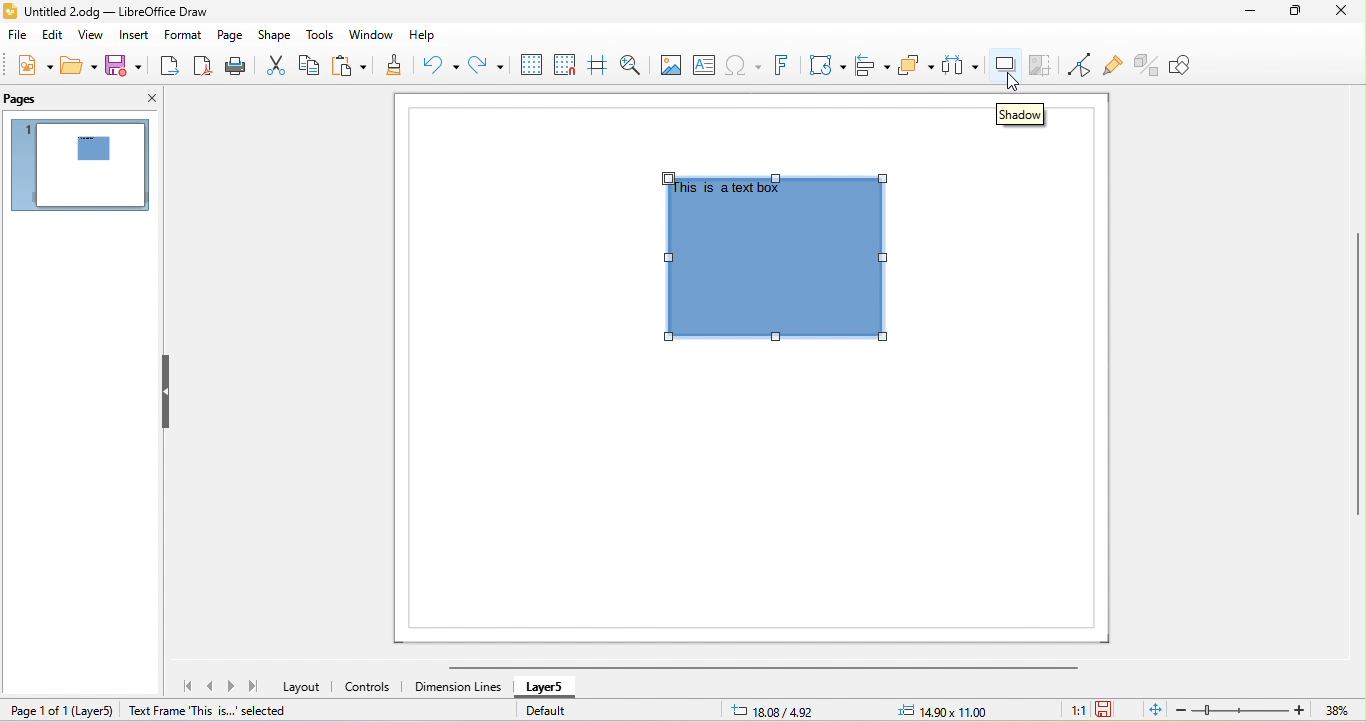 The image size is (1366, 722). I want to click on export, so click(171, 67).